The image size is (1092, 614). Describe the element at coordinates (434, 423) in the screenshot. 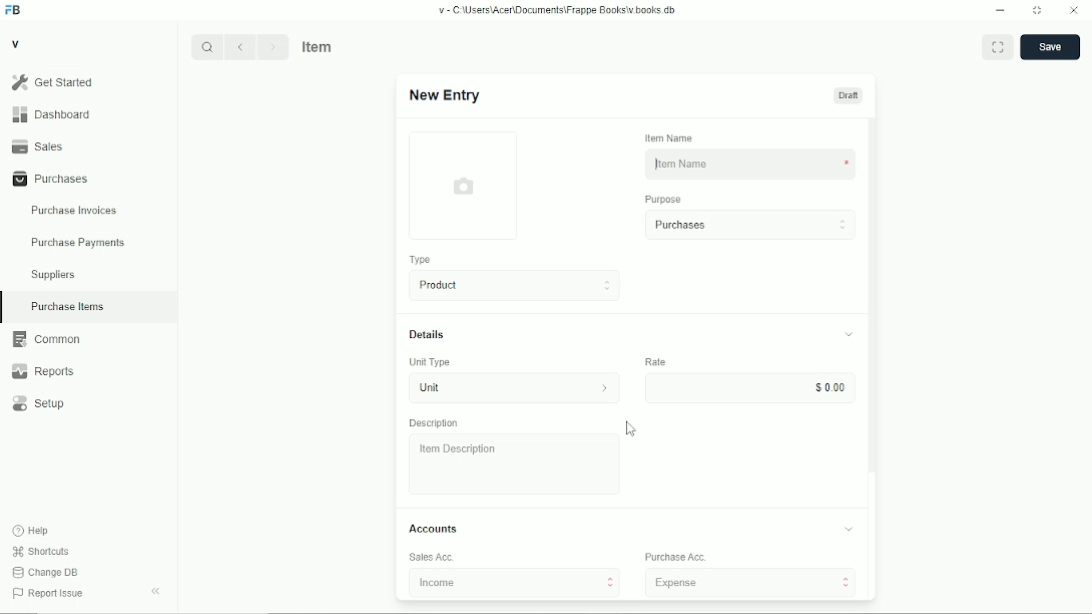

I see `description` at that location.